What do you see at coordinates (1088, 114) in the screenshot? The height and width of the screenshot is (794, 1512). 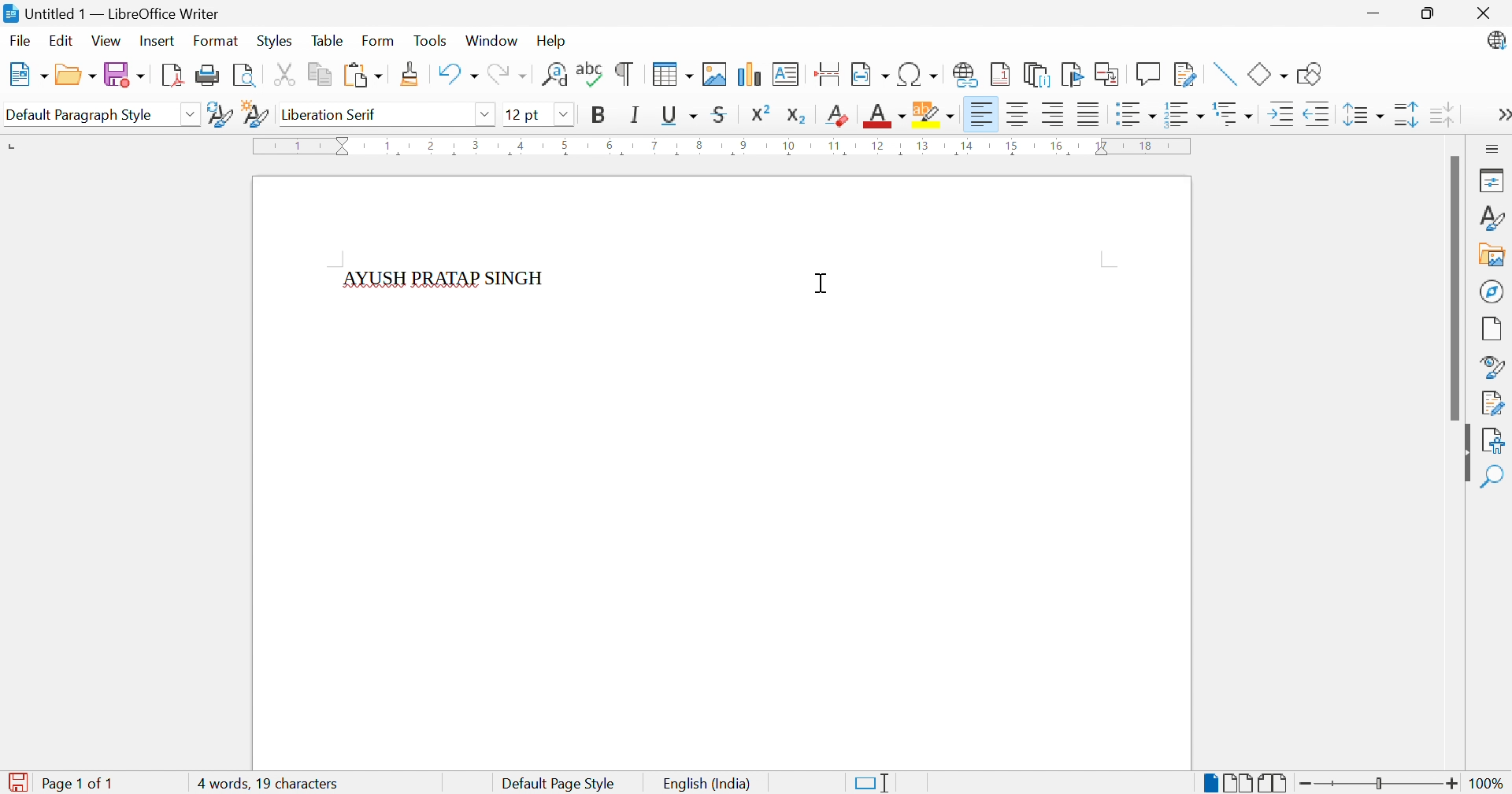 I see `Justified` at bounding box center [1088, 114].